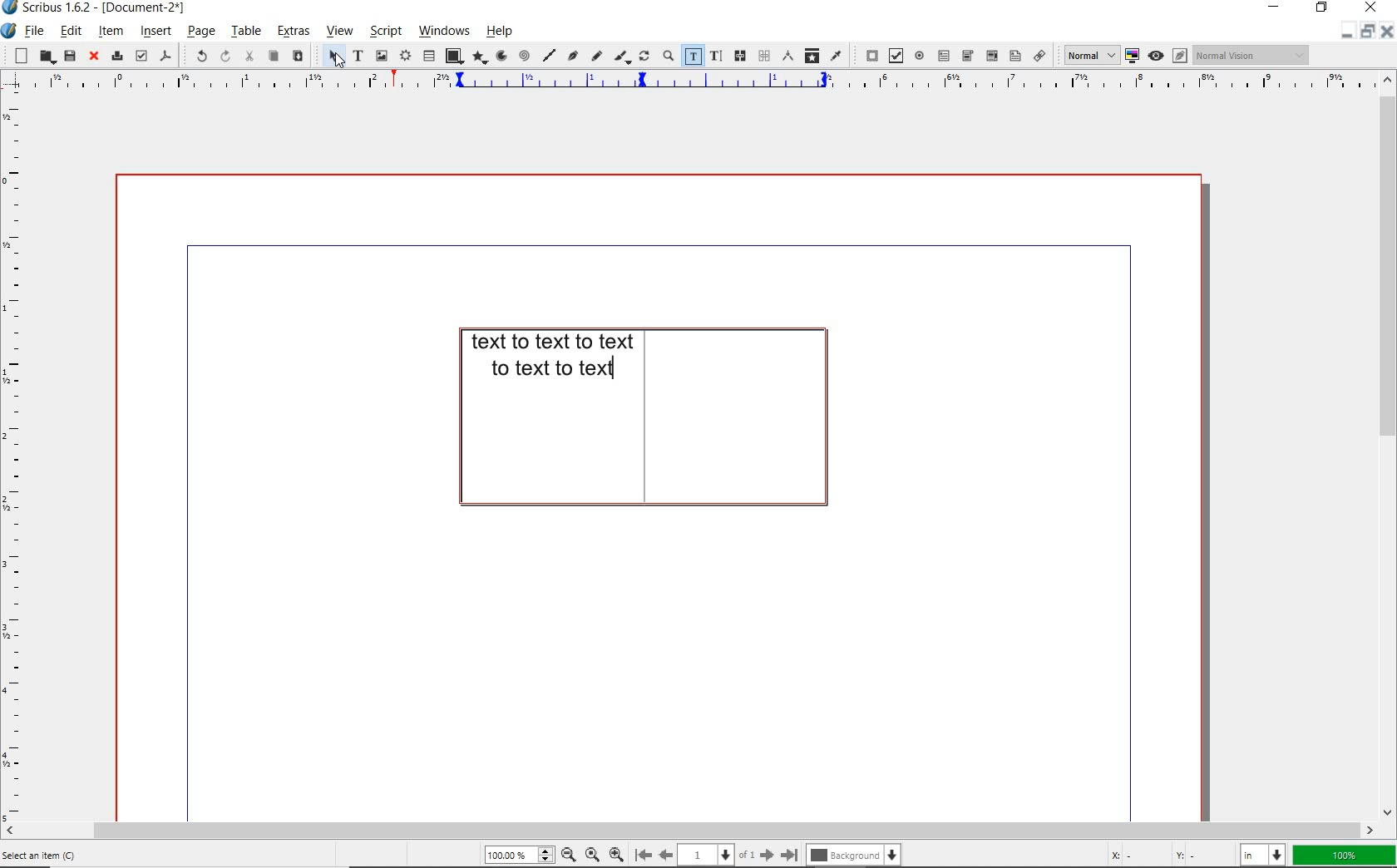  What do you see at coordinates (299, 57) in the screenshot?
I see `paste` at bounding box center [299, 57].